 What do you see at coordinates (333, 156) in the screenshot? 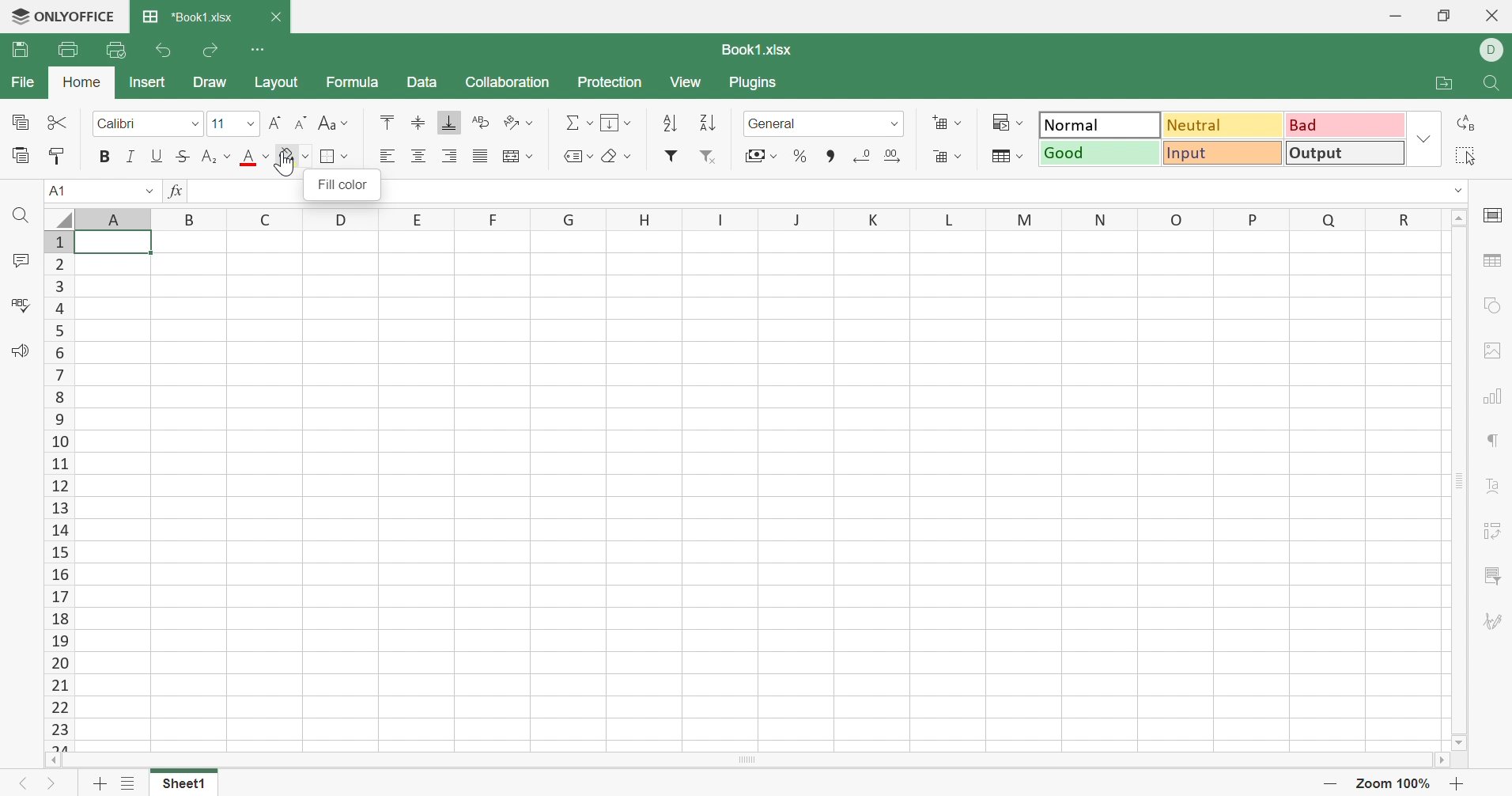
I see `Borders` at bounding box center [333, 156].